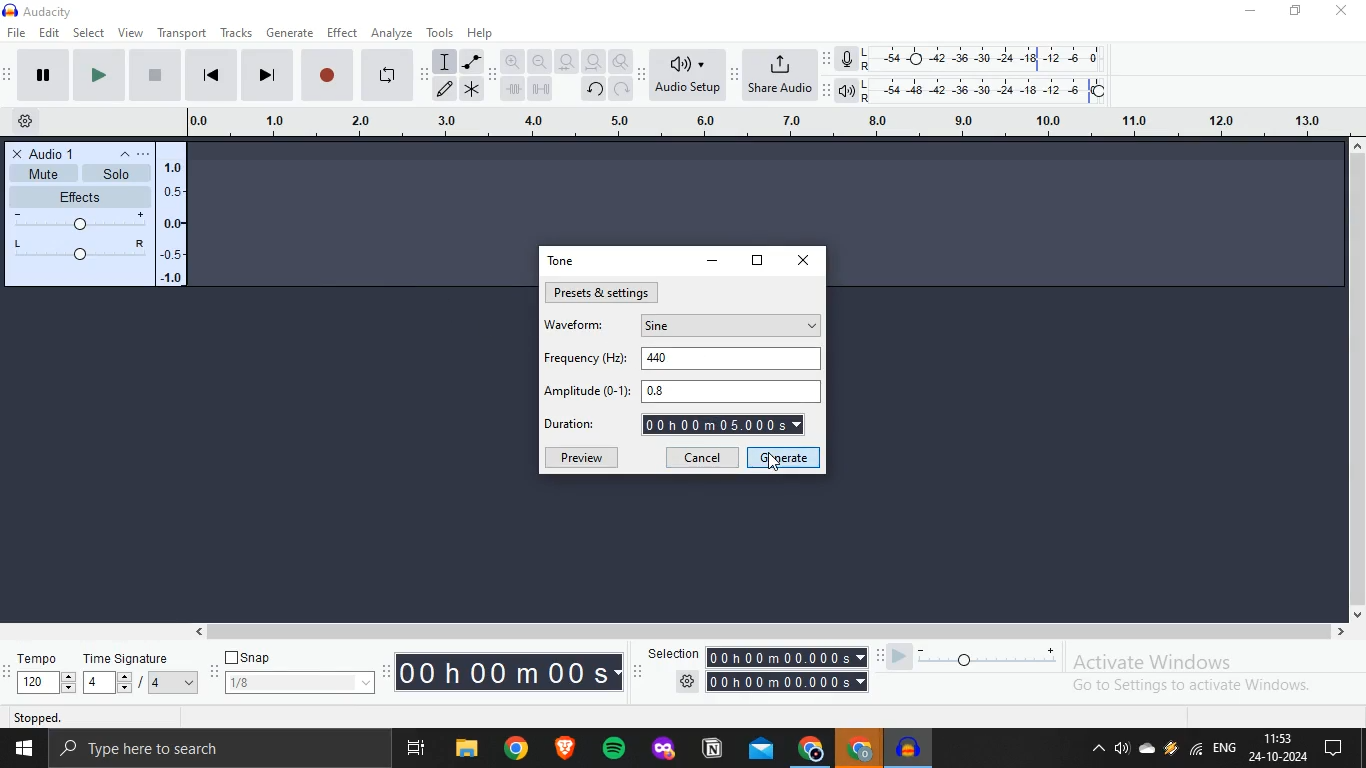 Image resolution: width=1366 pixels, height=768 pixels. Describe the element at coordinates (392, 31) in the screenshot. I see `Analyze` at that location.